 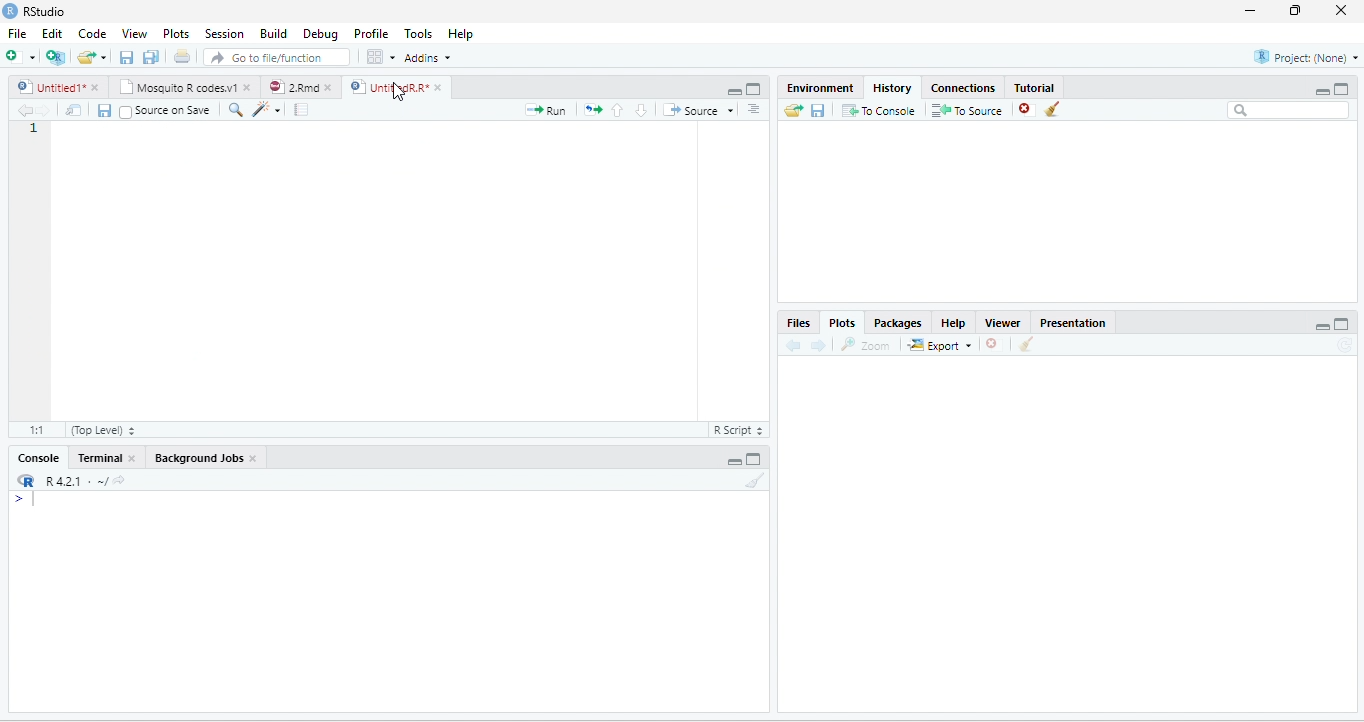 I want to click on Go to previous section/chunk, so click(x=618, y=110).